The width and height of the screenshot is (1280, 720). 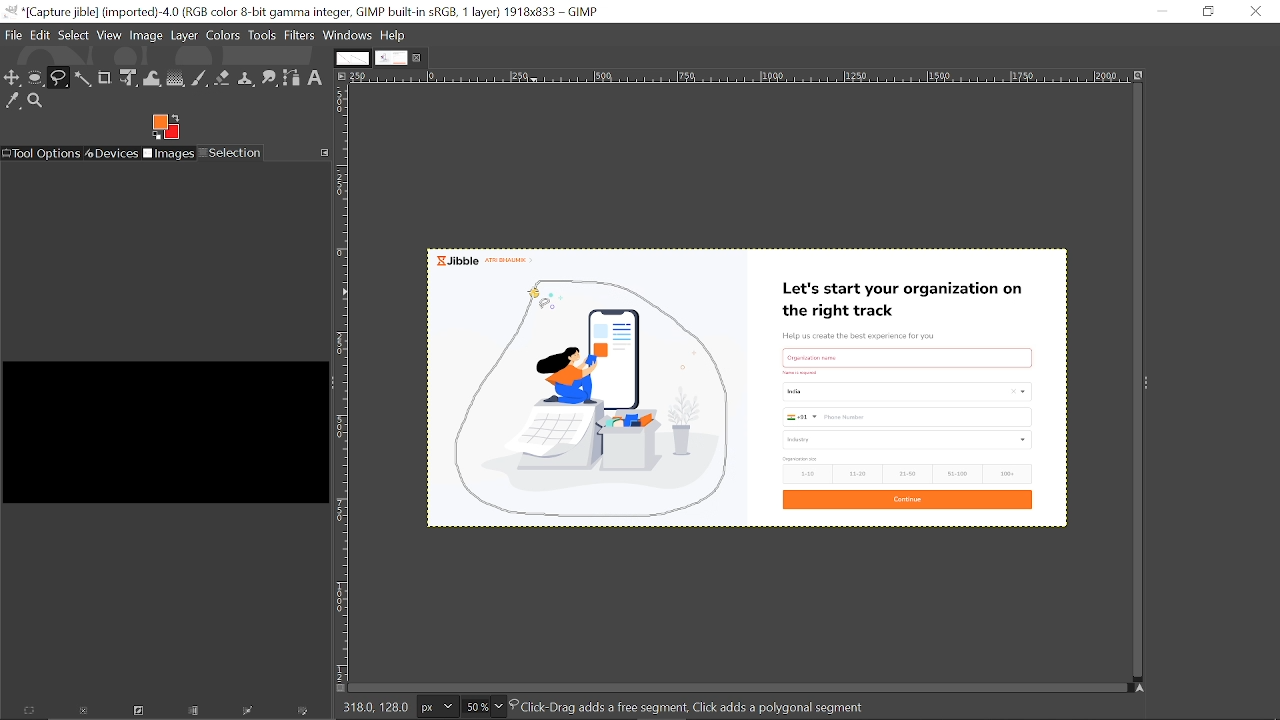 What do you see at coordinates (163, 424) in the screenshot?
I see `black box` at bounding box center [163, 424].